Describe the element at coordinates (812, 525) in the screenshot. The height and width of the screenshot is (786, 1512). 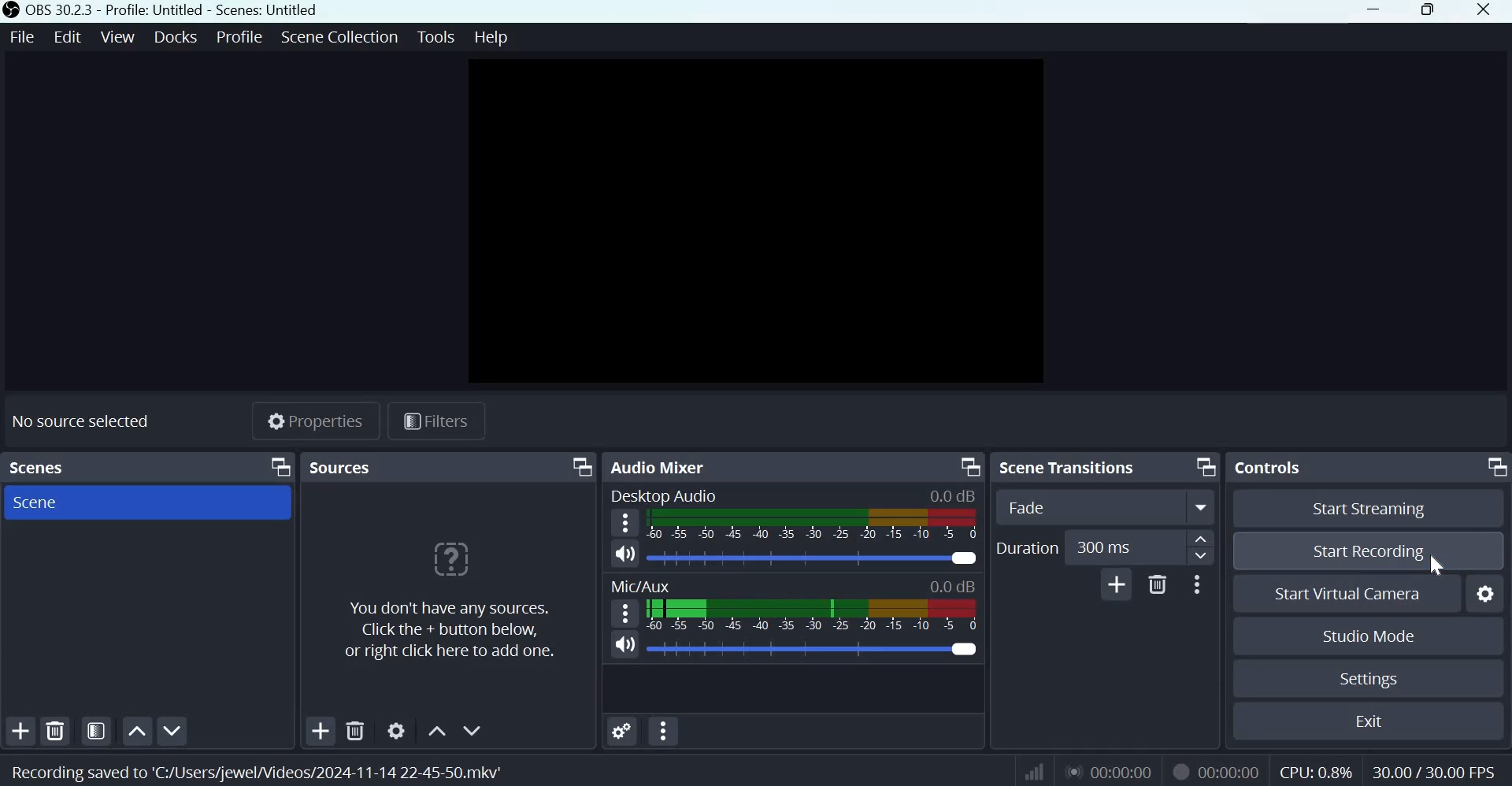
I see `Volume Meter` at that location.